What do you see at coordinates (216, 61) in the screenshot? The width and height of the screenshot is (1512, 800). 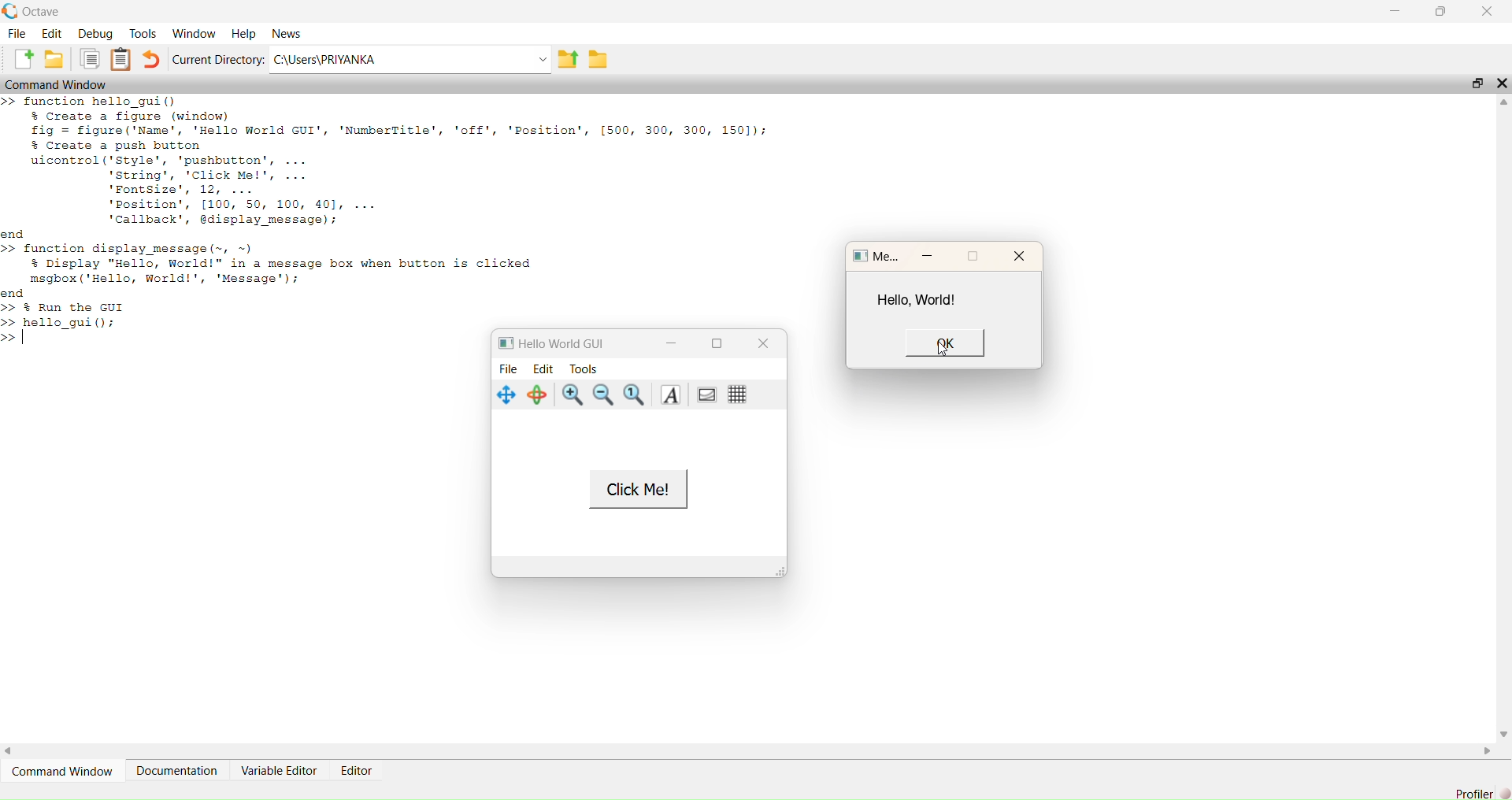 I see `‘Current Directory:` at bounding box center [216, 61].